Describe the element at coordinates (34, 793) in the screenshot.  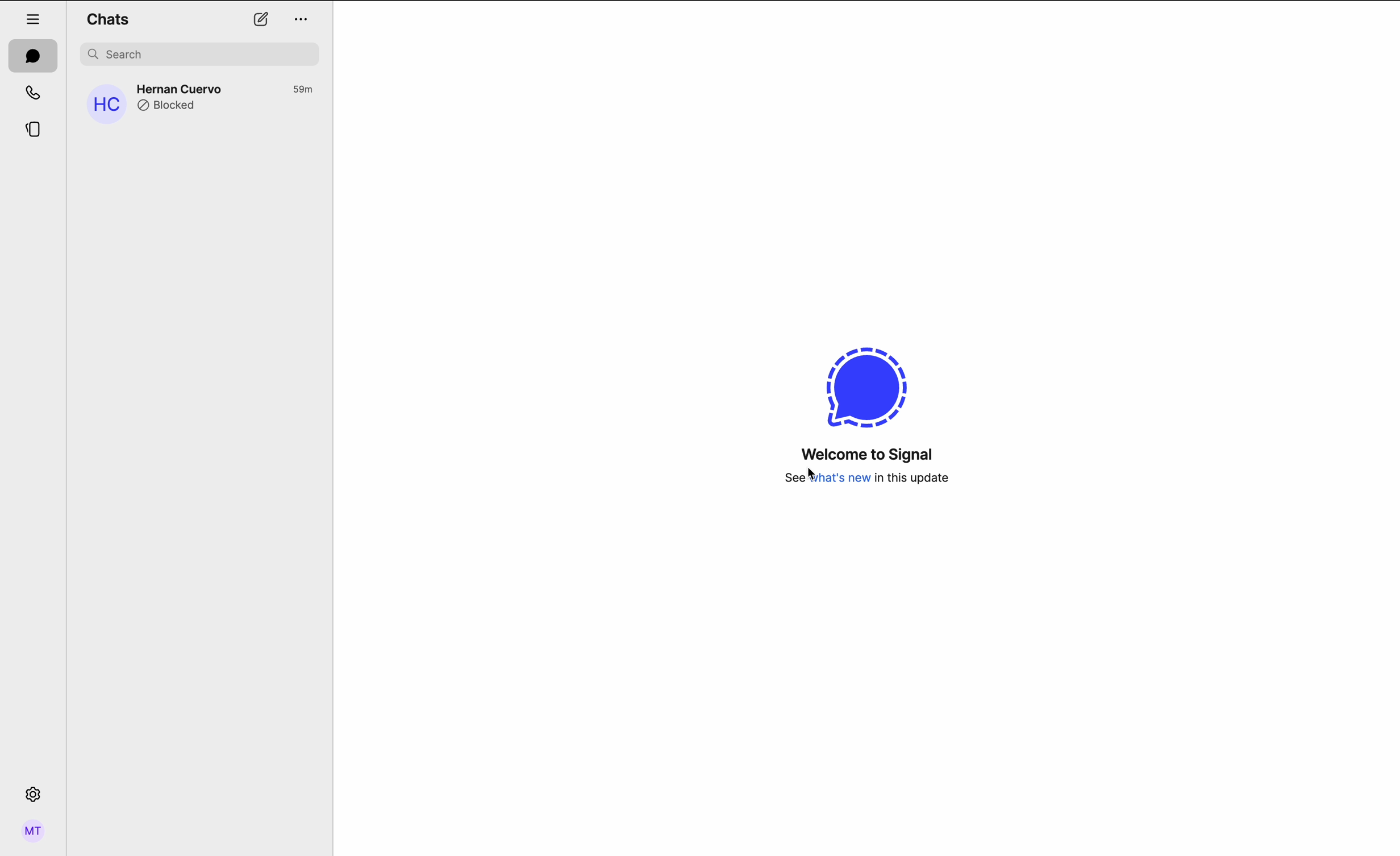
I see `settings` at that location.